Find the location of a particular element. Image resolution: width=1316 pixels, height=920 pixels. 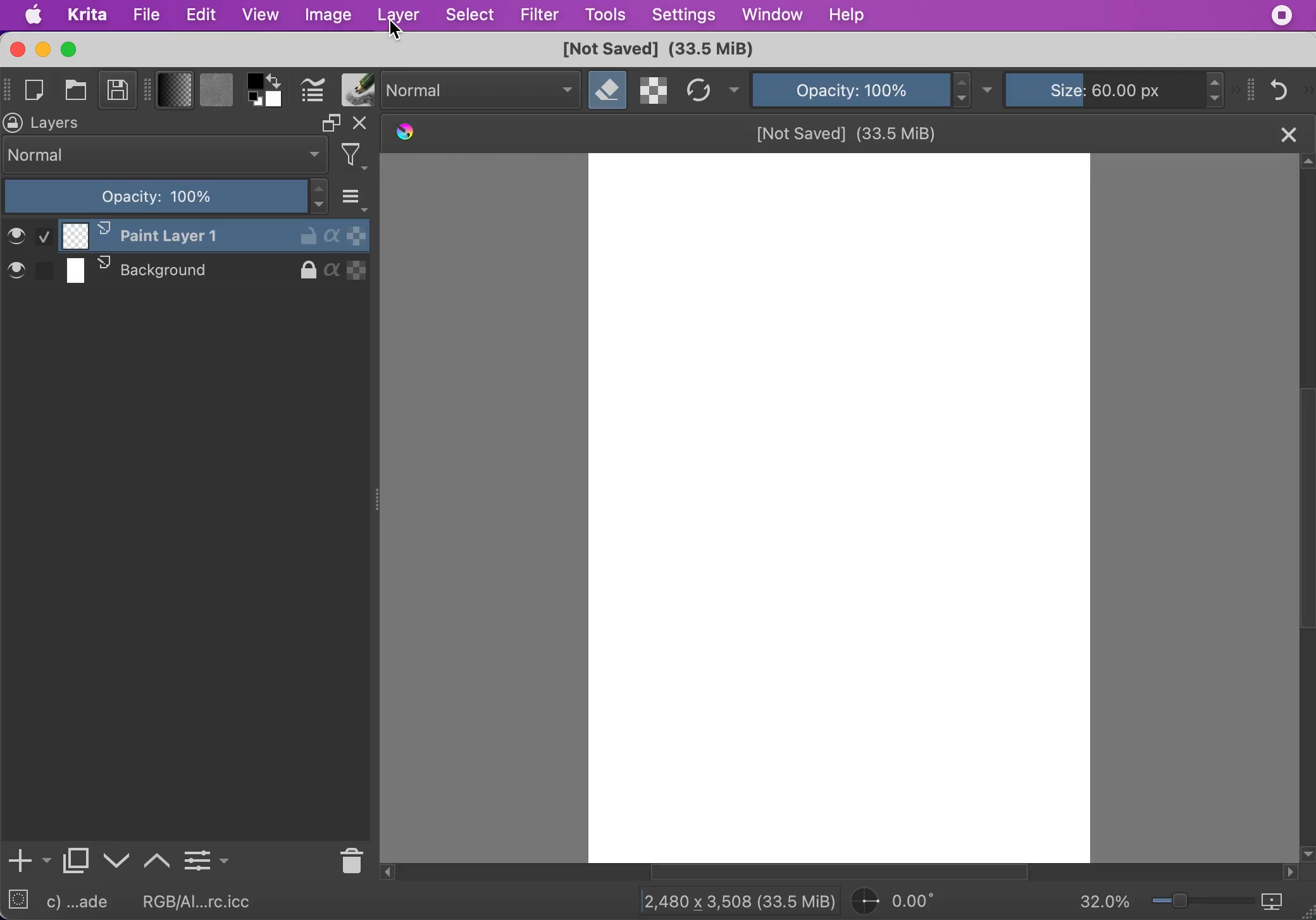

image is located at coordinates (327, 16).